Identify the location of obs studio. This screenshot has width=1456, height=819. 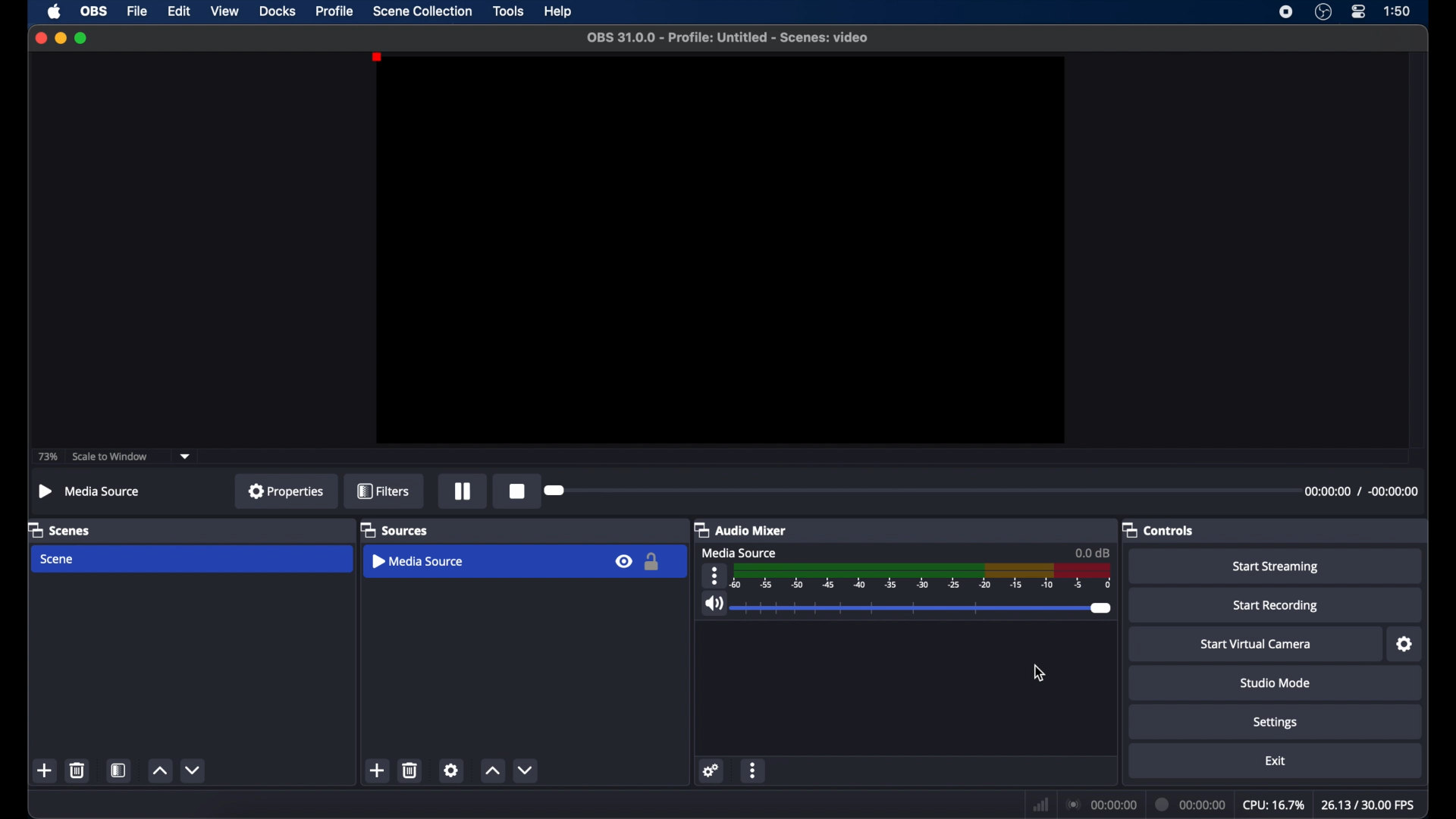
(1323, 12).